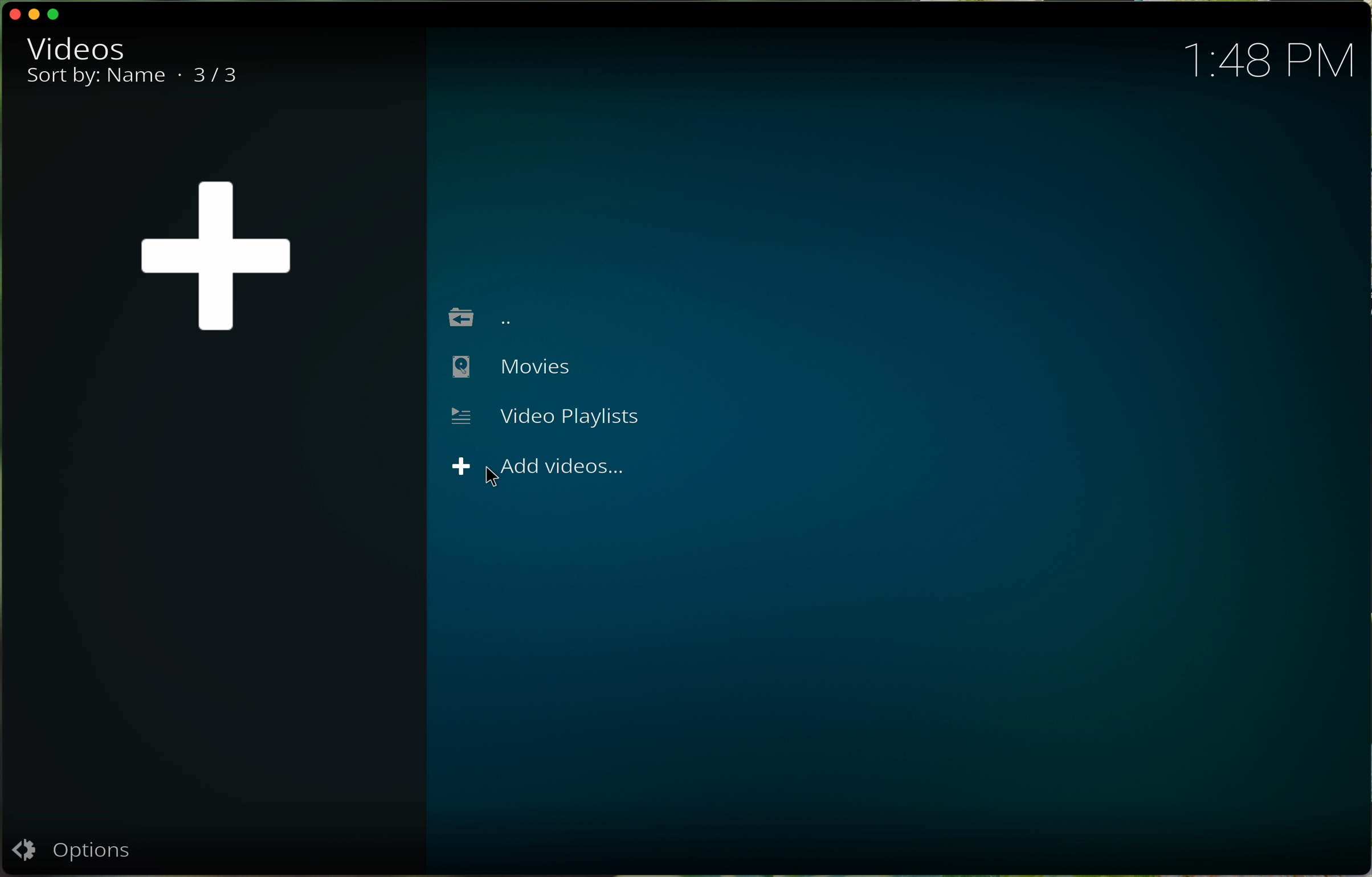 Image resolution: width=1372 pixels, height=877 pixels. I want to click on go back, so click(483, 317).